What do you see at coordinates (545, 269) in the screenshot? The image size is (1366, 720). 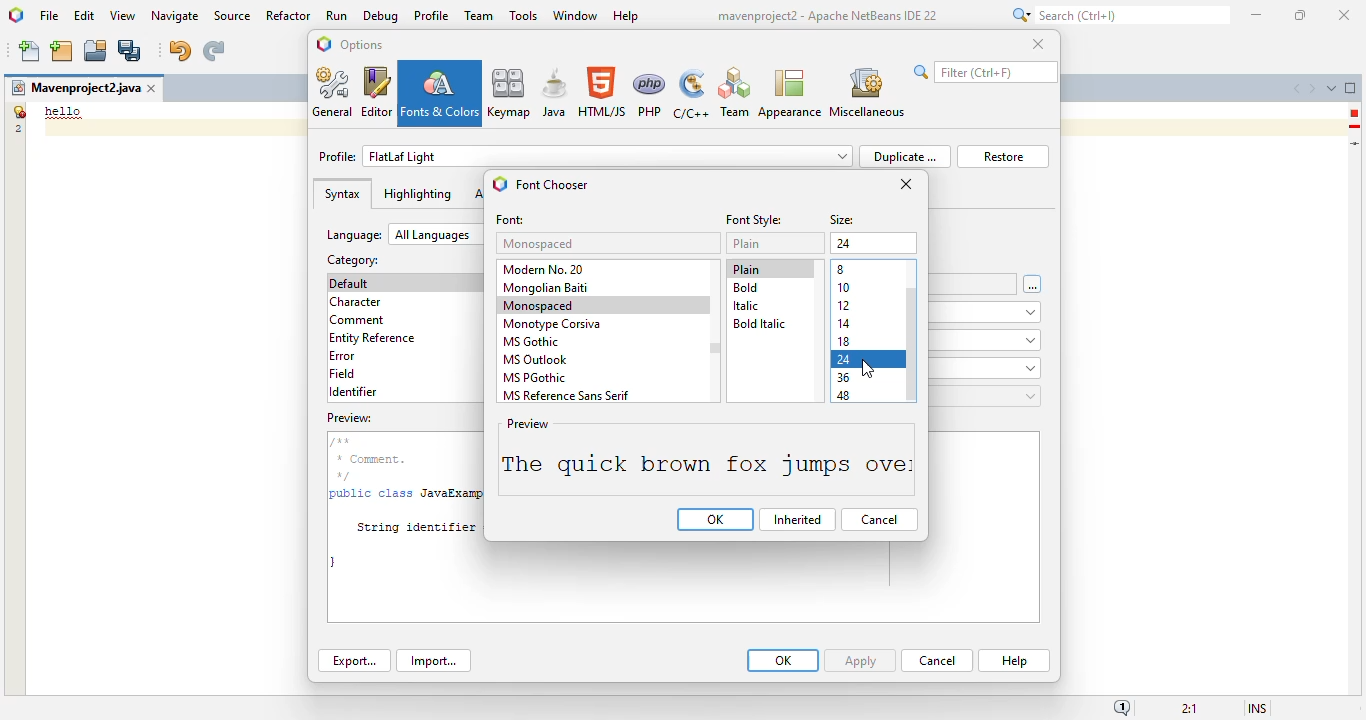 I see `modern no. 20` at bounding box center [545, 269].